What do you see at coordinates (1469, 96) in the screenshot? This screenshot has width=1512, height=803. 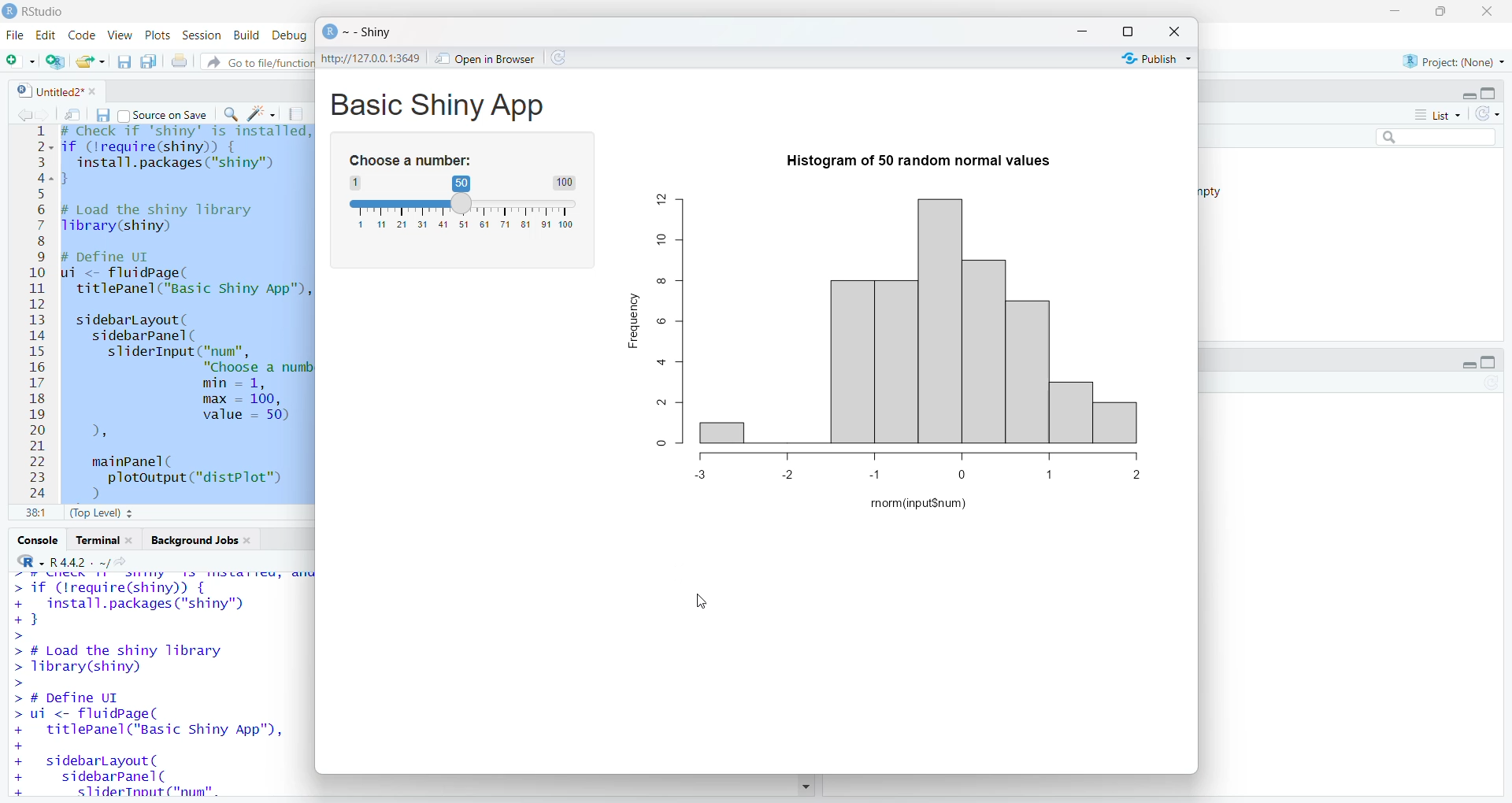 I see `minimize` at bounding box center [1469, 96].